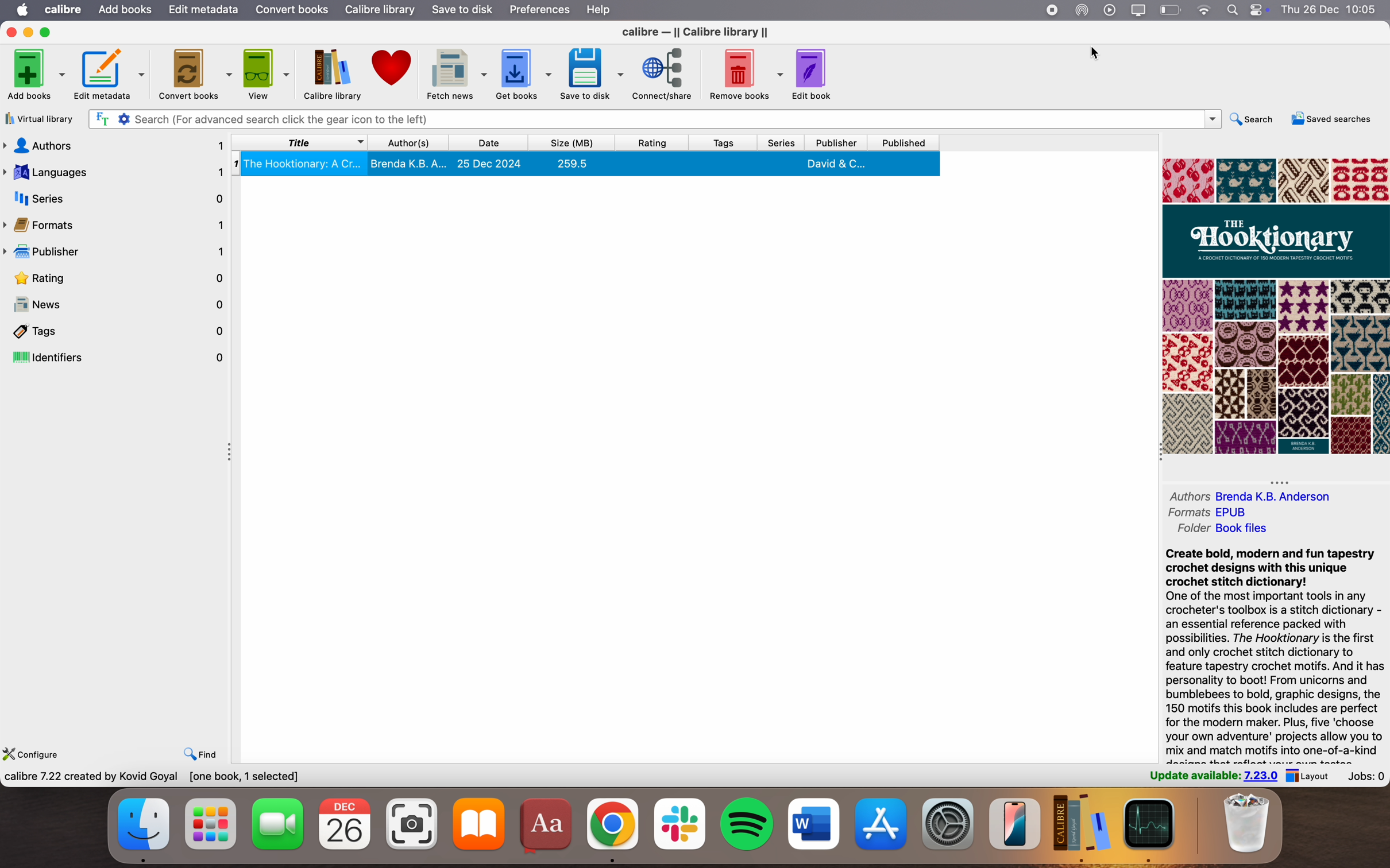  Describe the element at coordinates (115, 252) in the screenshot. I see `publisher` at that location.